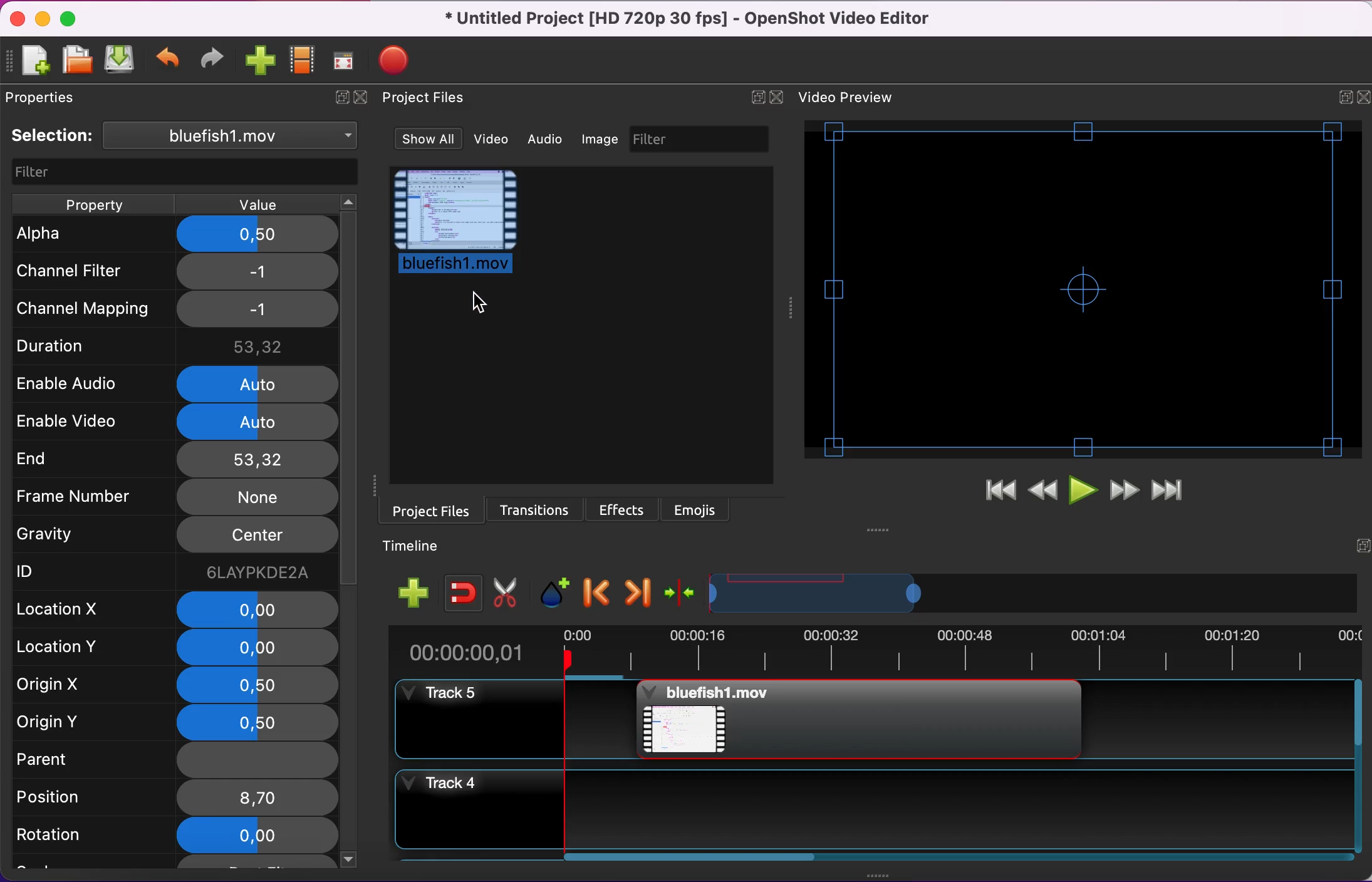 Image resolution: width=1372 pixels, height=882 pixels. Describe the element at coordinates (261, 234) in the screenshot. I see `0,5 applied` at that location.